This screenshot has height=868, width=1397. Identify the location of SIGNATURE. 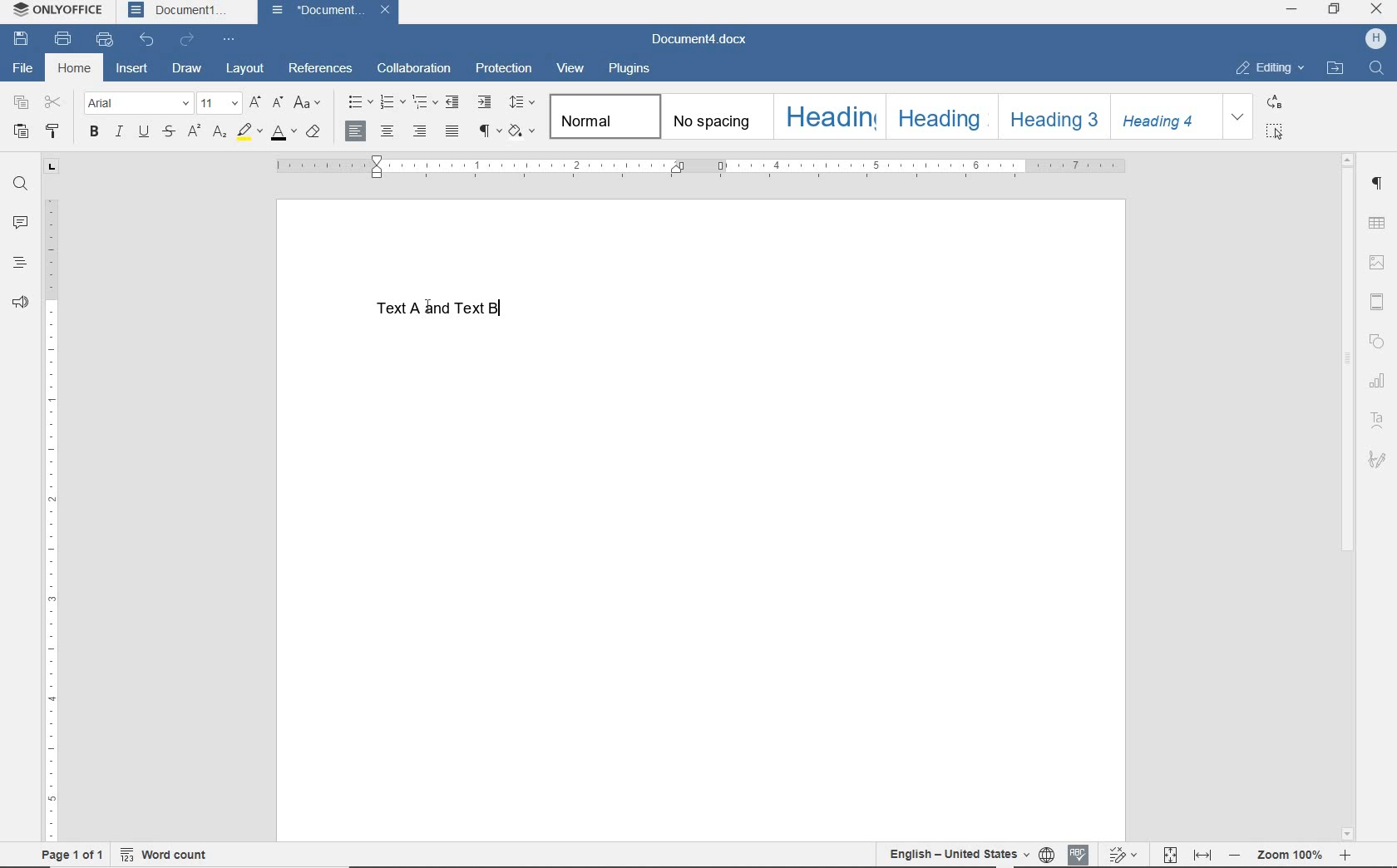
(1378, 460).